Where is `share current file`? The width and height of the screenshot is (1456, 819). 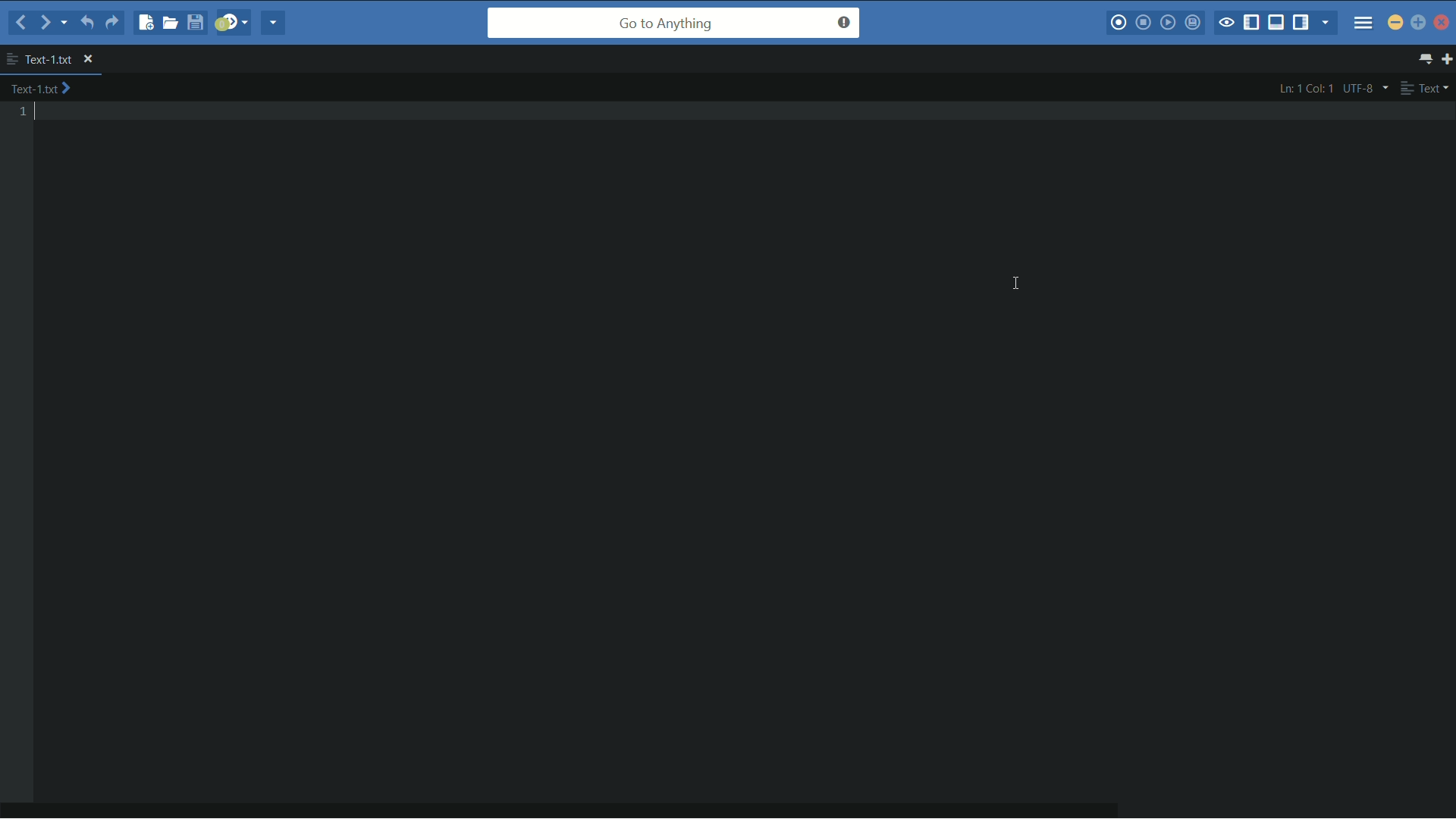
share current file is located at coordinates (275, 24).